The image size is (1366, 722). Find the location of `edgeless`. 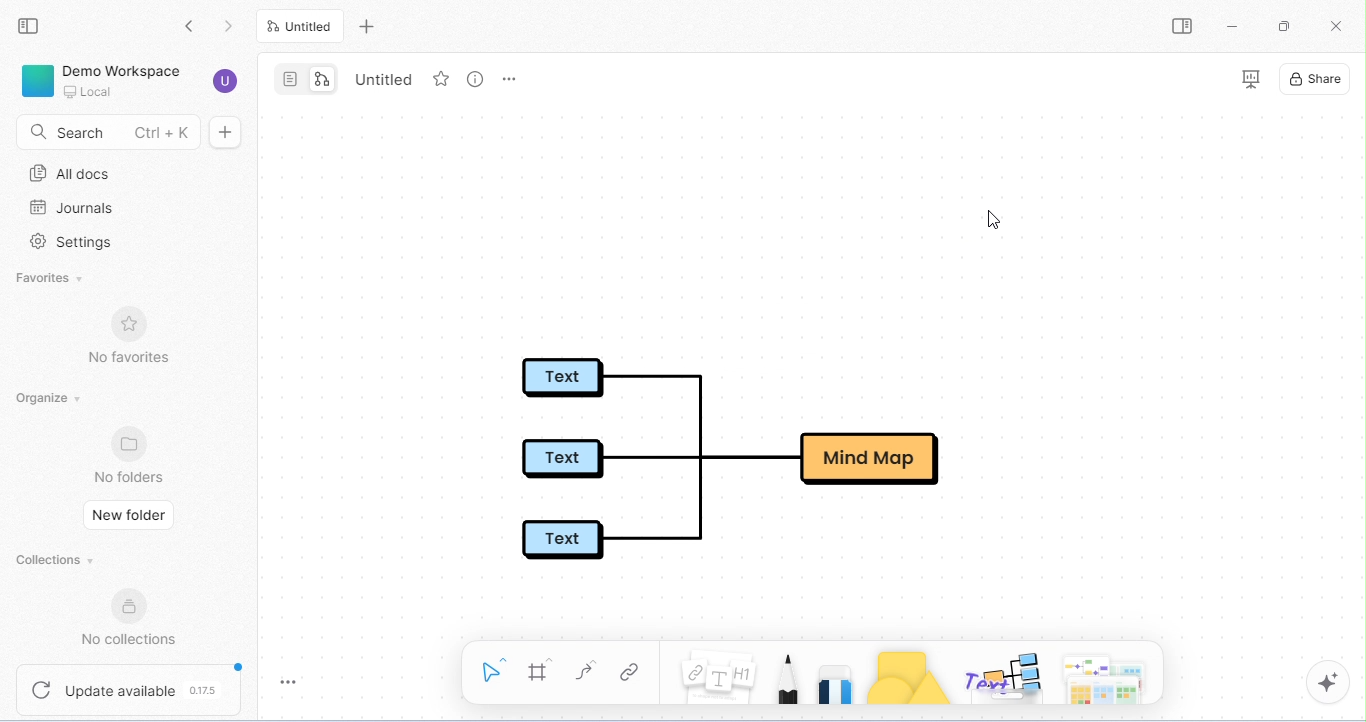

edgeless is located at coordinates (328, 79).